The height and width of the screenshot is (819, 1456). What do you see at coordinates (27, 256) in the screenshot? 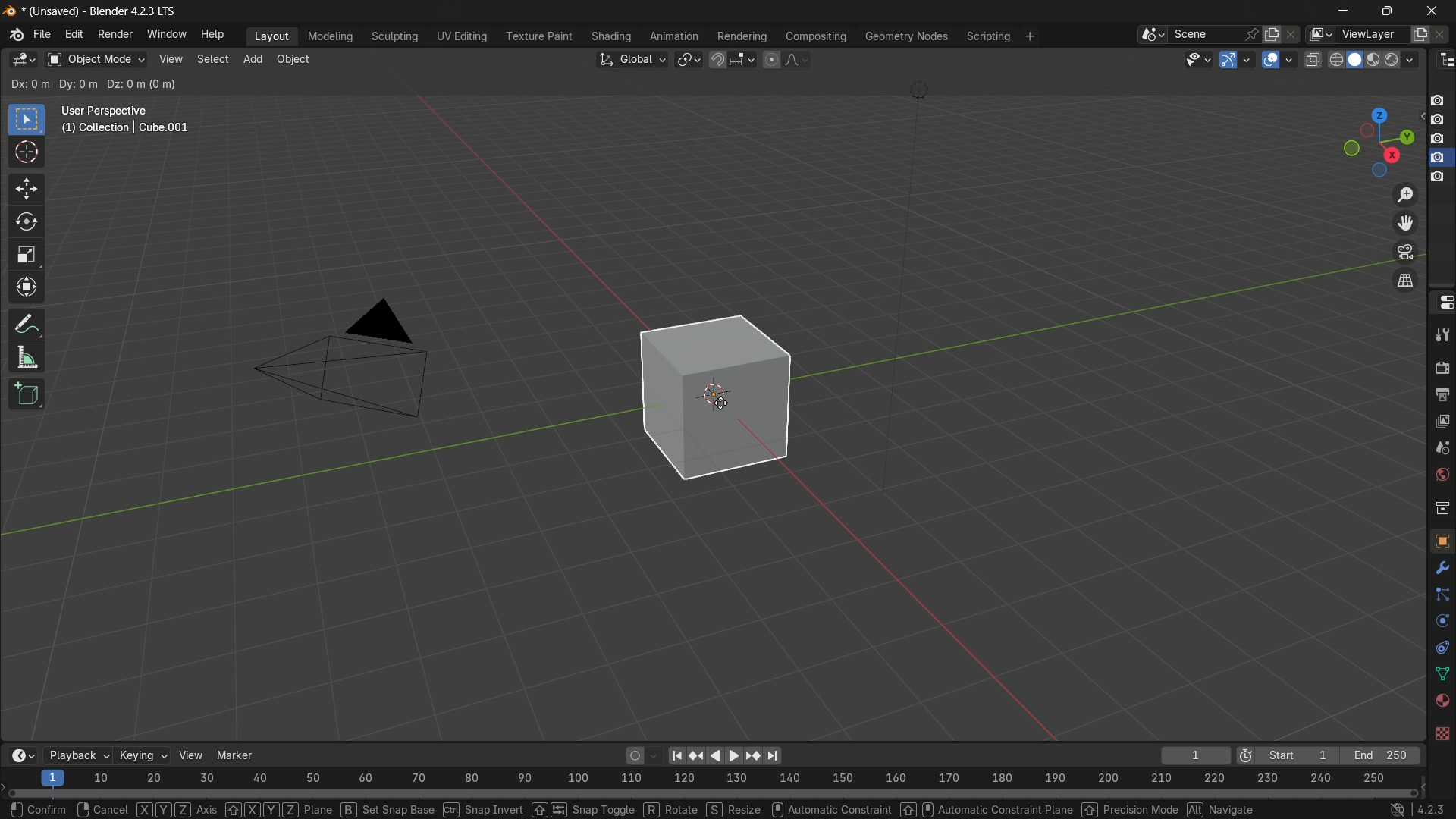
I see `scale` at bounding box center [27, 256].